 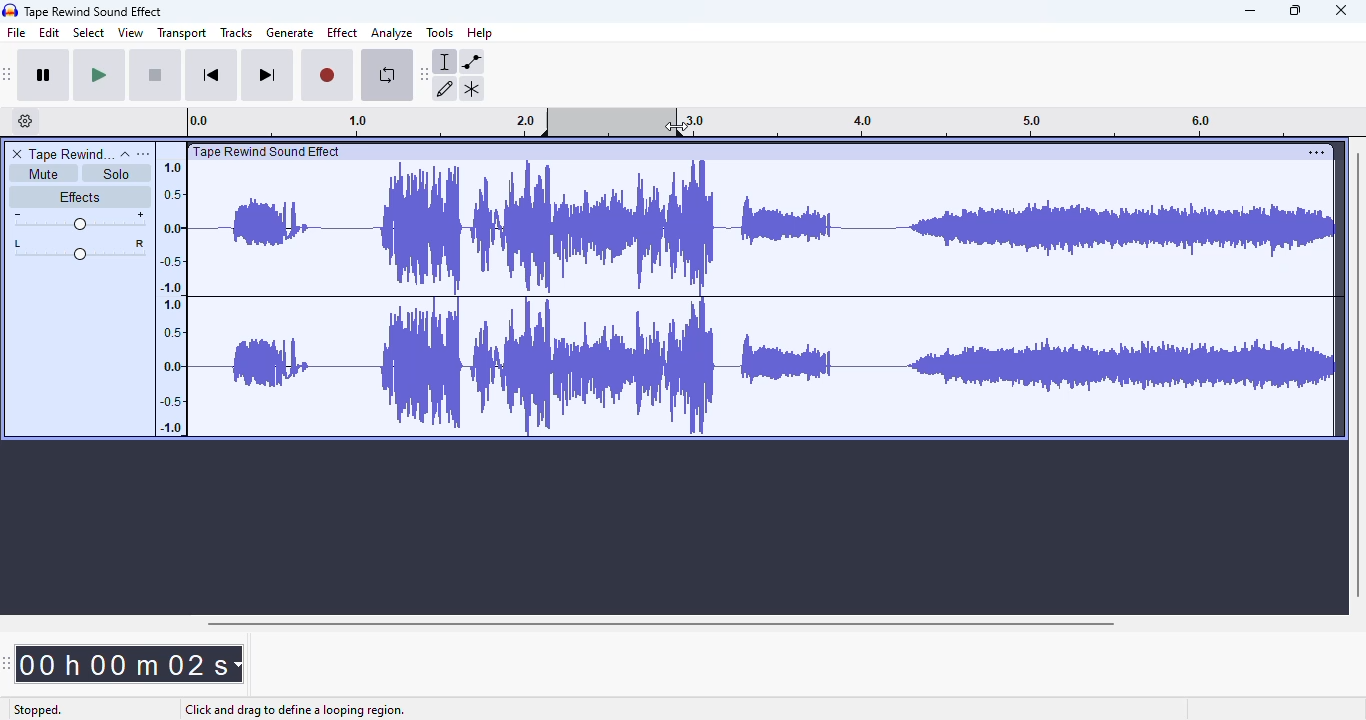 What do you see at coordinates (365, 122) in the screenshot?
I see `0.0 1.0 2.0` at bounding box center [365, 122].